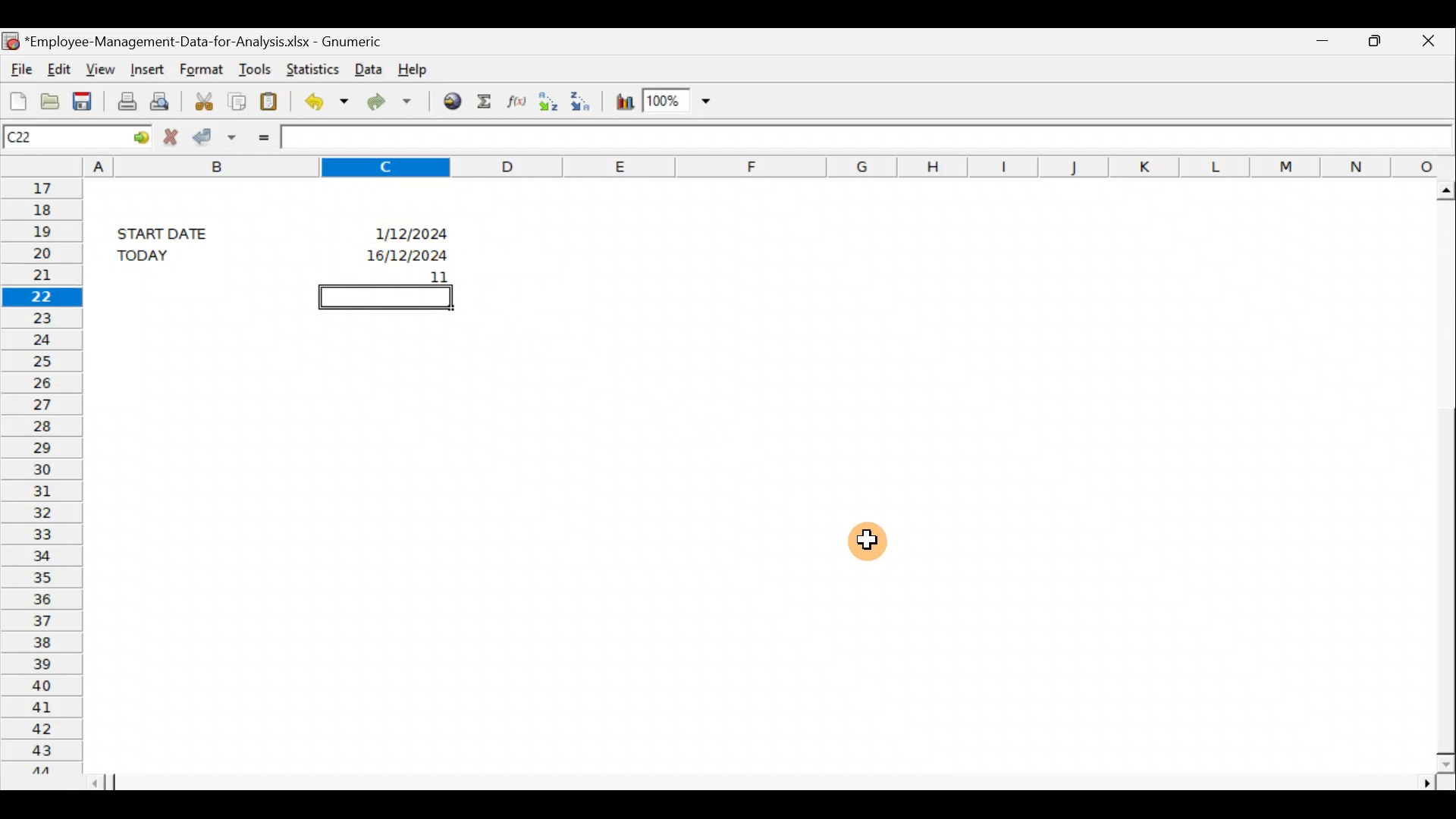 The height and width of the screenshot is (819, 1456). I want to click on Formula bar, so click(868, 136).